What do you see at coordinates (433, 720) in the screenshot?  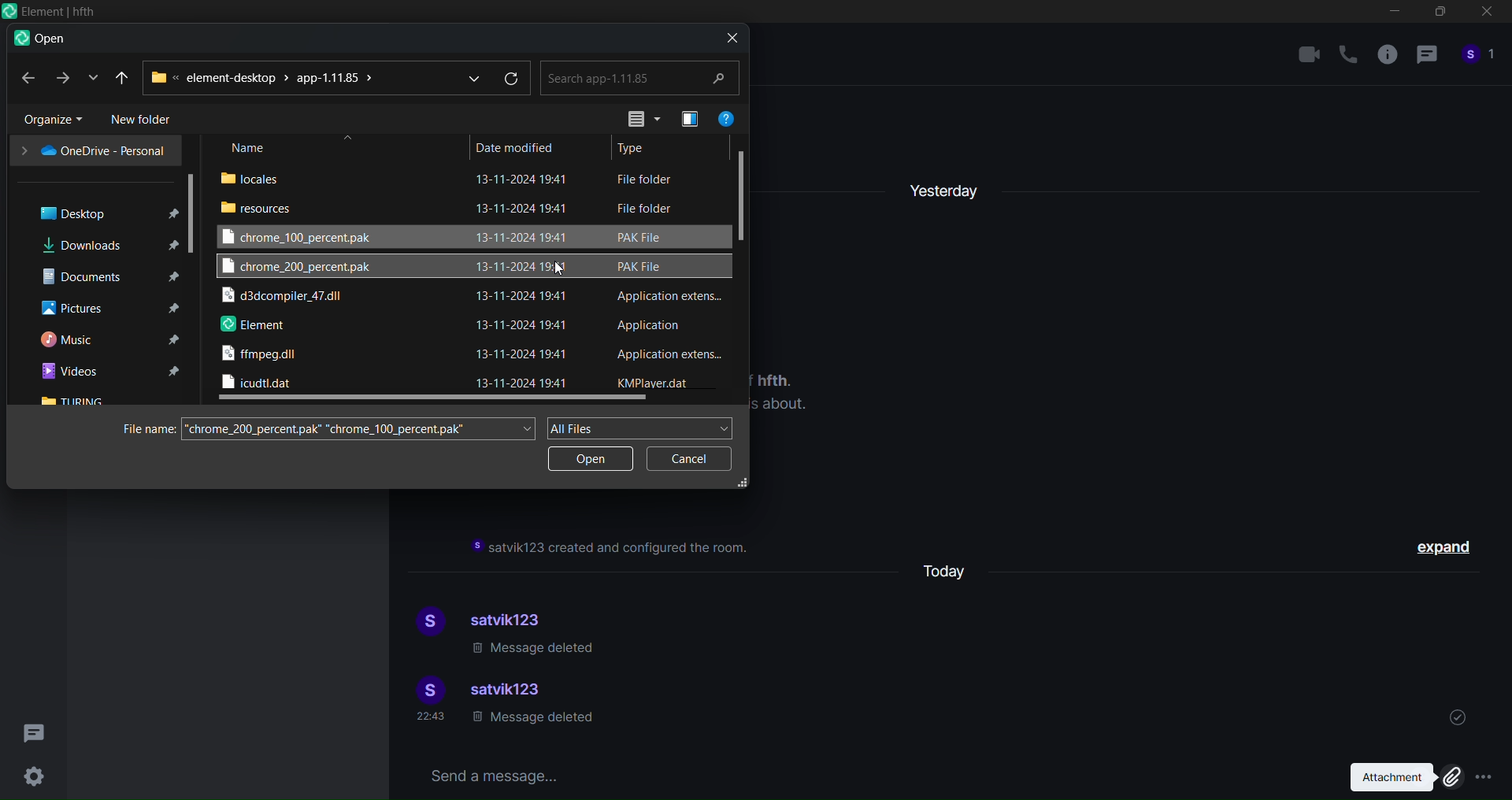 I see `time` at bounding box center [433, 720].